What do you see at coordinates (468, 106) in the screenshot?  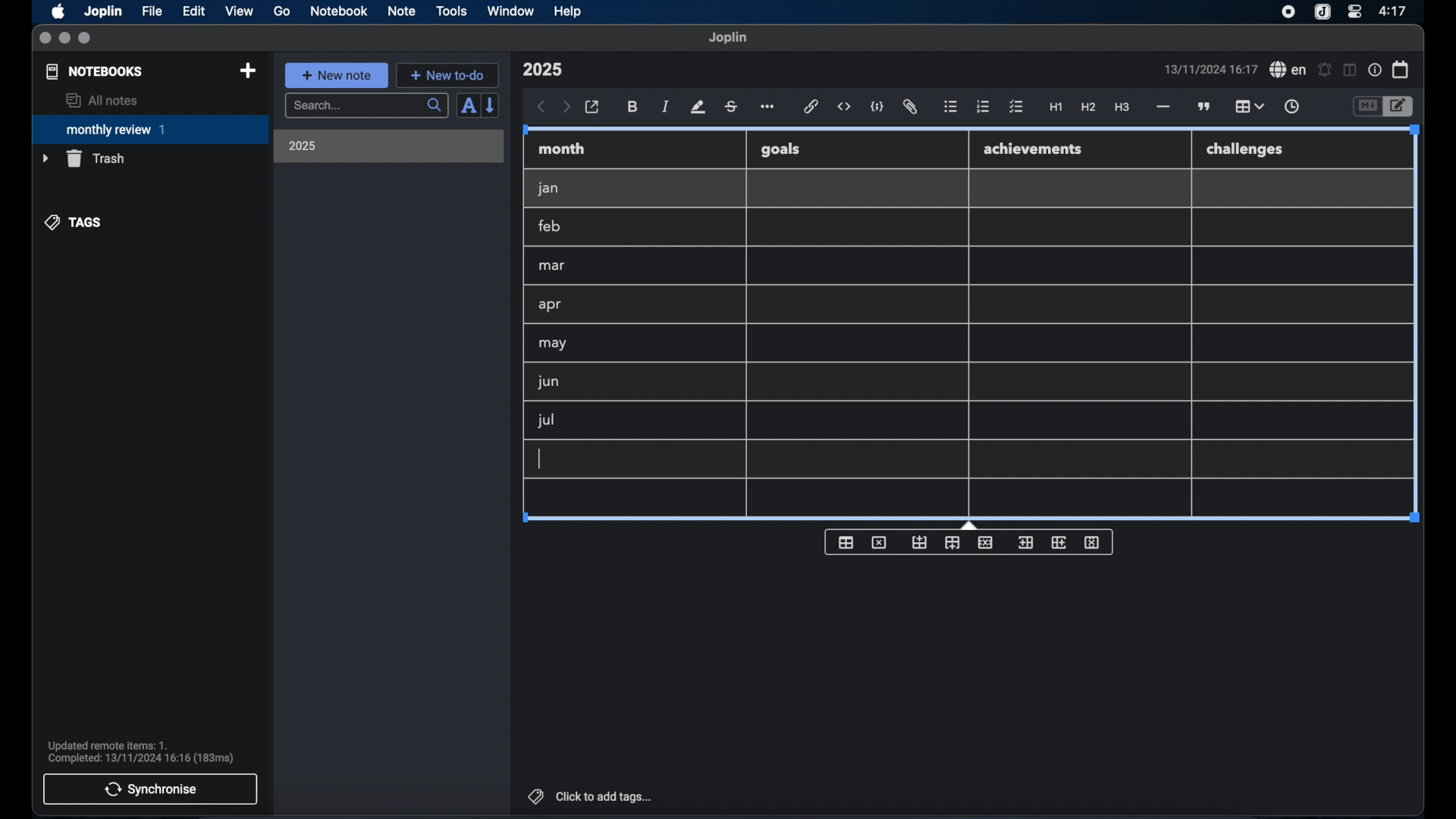 I see `sort order field` at bounding box center [468, 106].